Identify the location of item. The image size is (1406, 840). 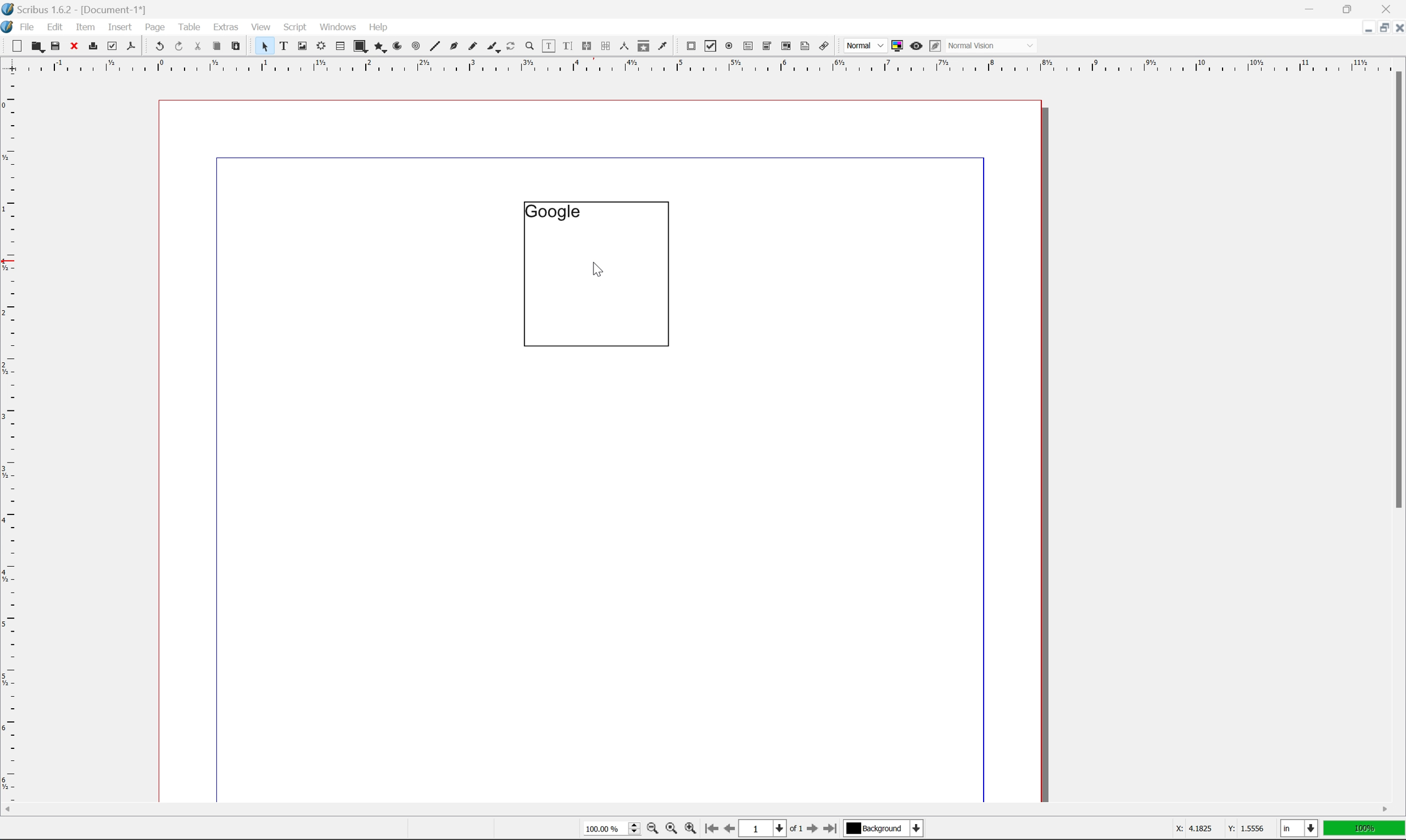
(88, 25).